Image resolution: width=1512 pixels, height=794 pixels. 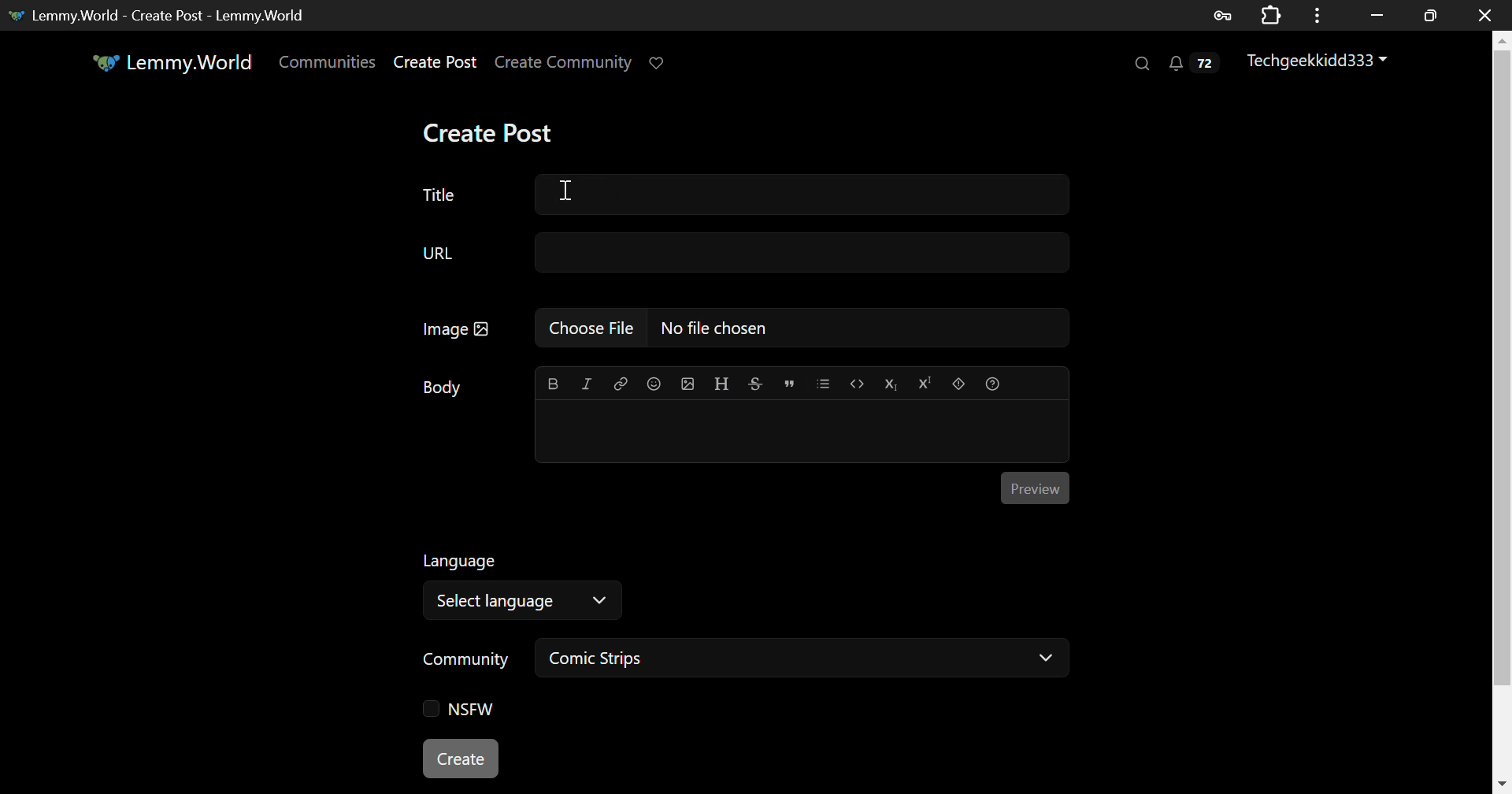 What do you see at coordinates (958, 384) in the screenshot?
I see `Spoiler` at bounding box center [958, 384].